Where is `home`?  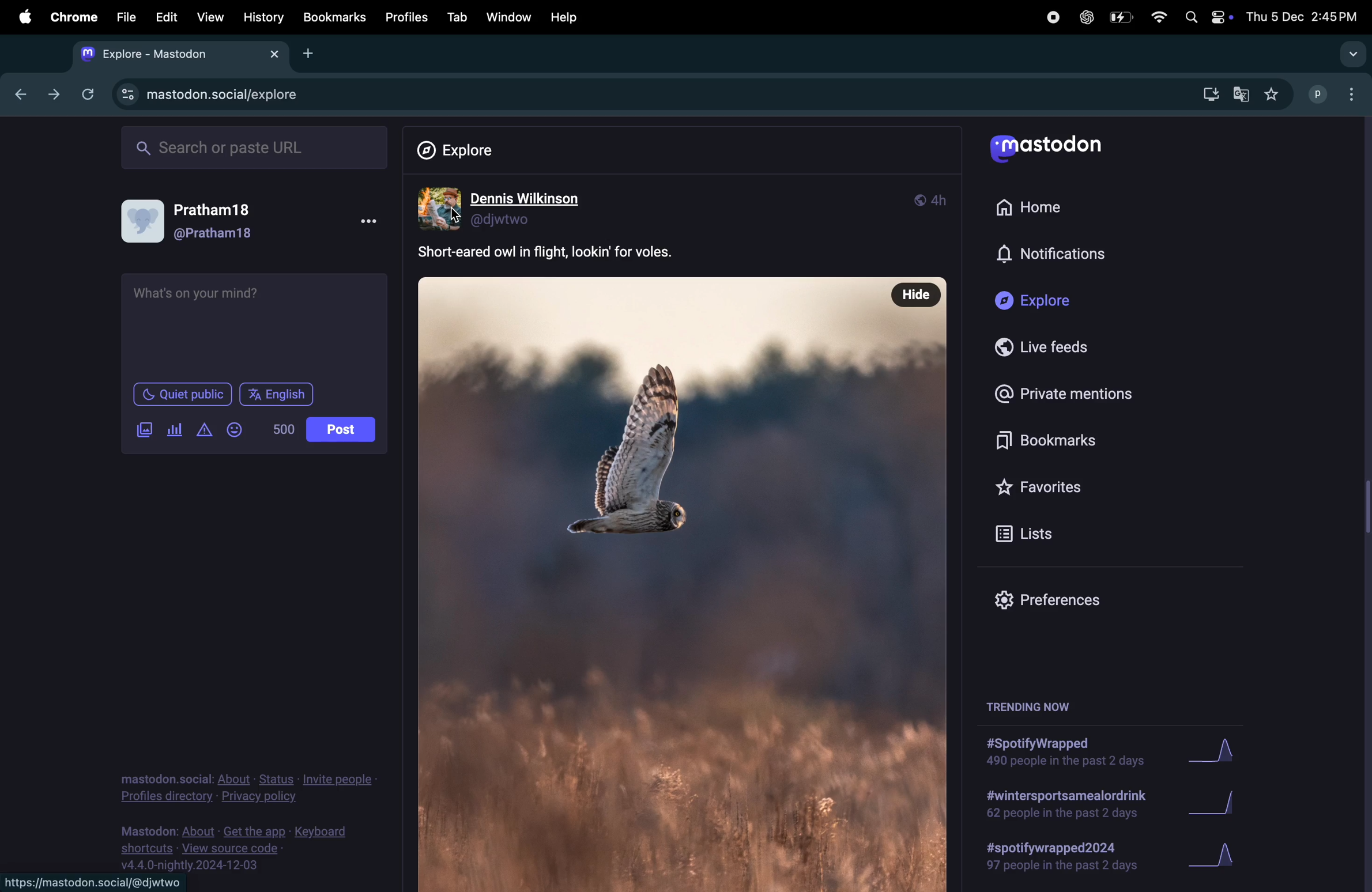
home is located at coordinates (1056, 207).